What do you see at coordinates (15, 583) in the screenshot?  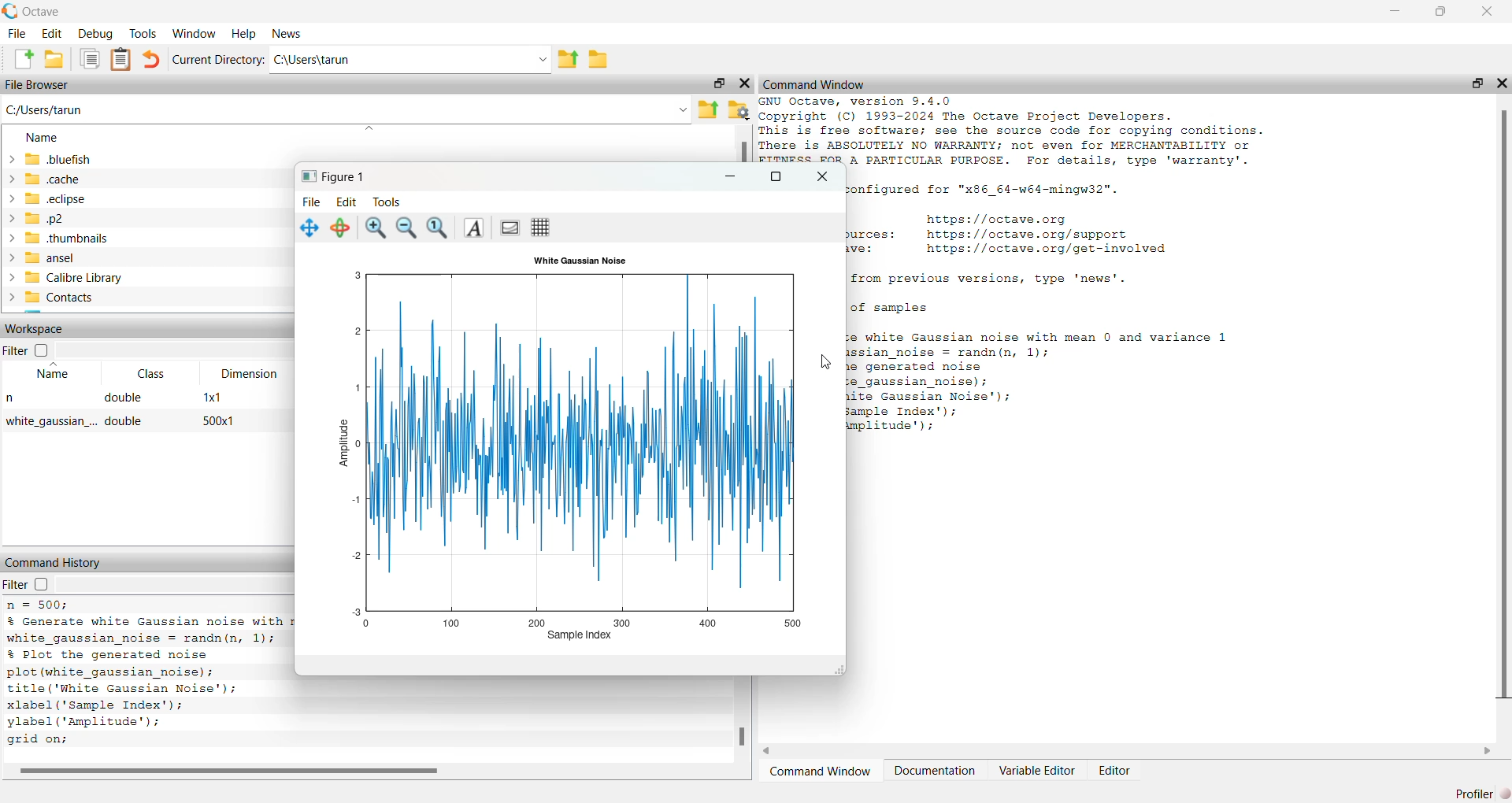 I see `filter` at bounding box center [15, 583].